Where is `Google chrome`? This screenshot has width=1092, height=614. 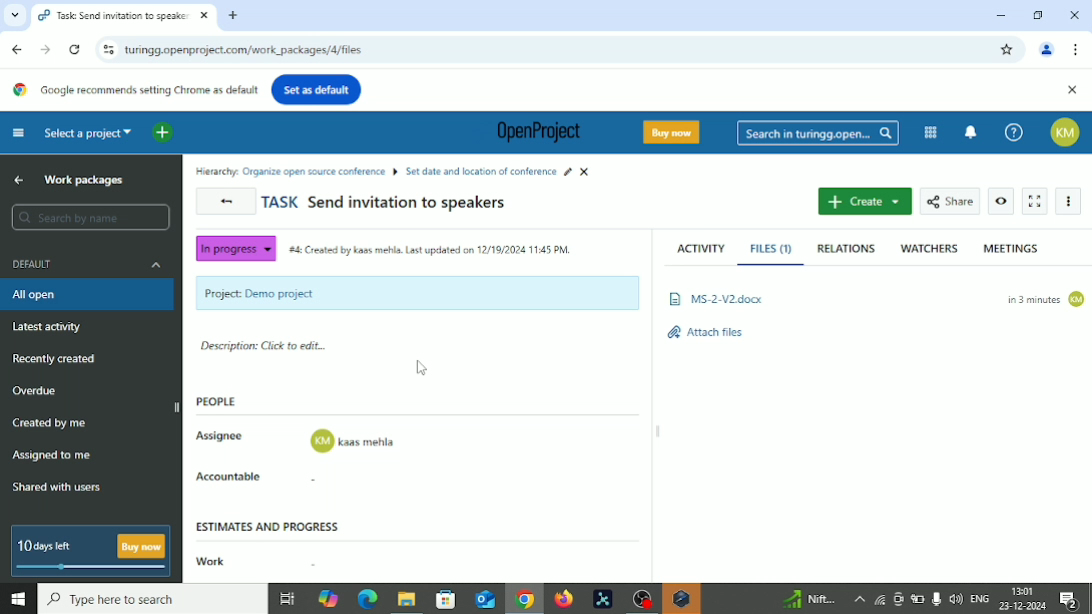 Google chrome is located at coordinates (524, 601).